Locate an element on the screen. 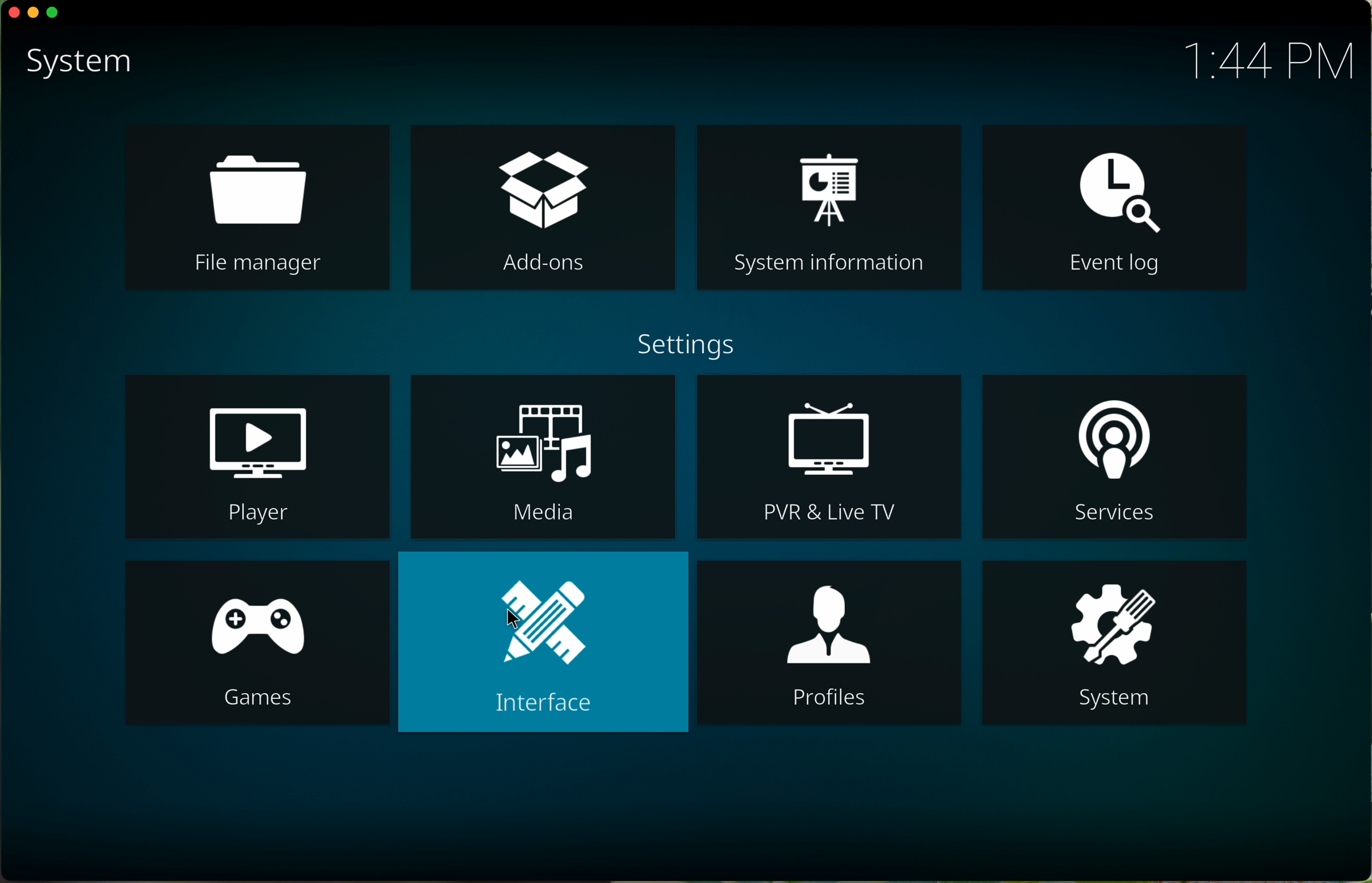  system is located at coordinates (1114, 644).